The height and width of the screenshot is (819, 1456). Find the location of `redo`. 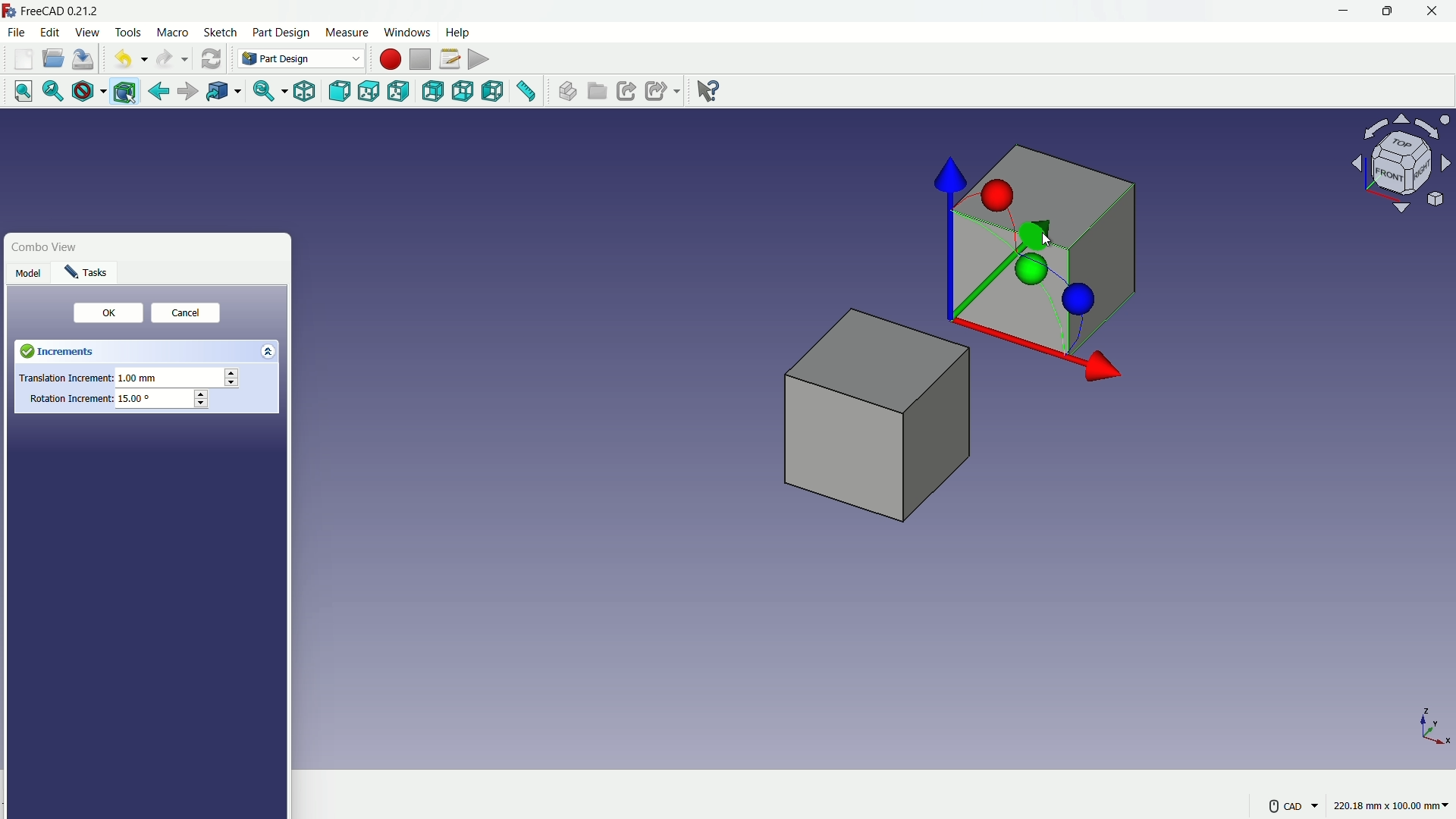

redo is located at coordinates (172, 59).